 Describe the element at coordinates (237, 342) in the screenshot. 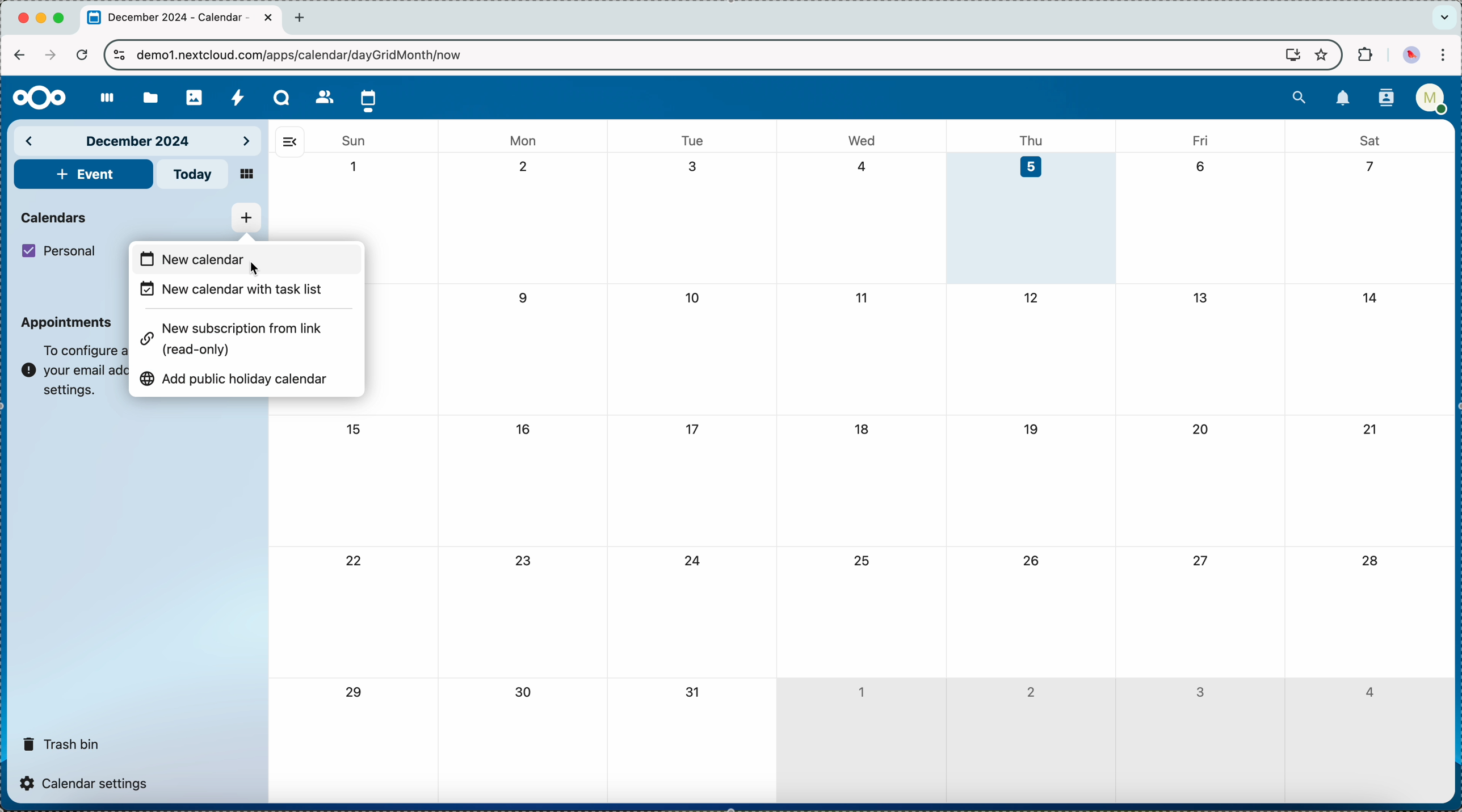

I see `new subscription from link` at that location.